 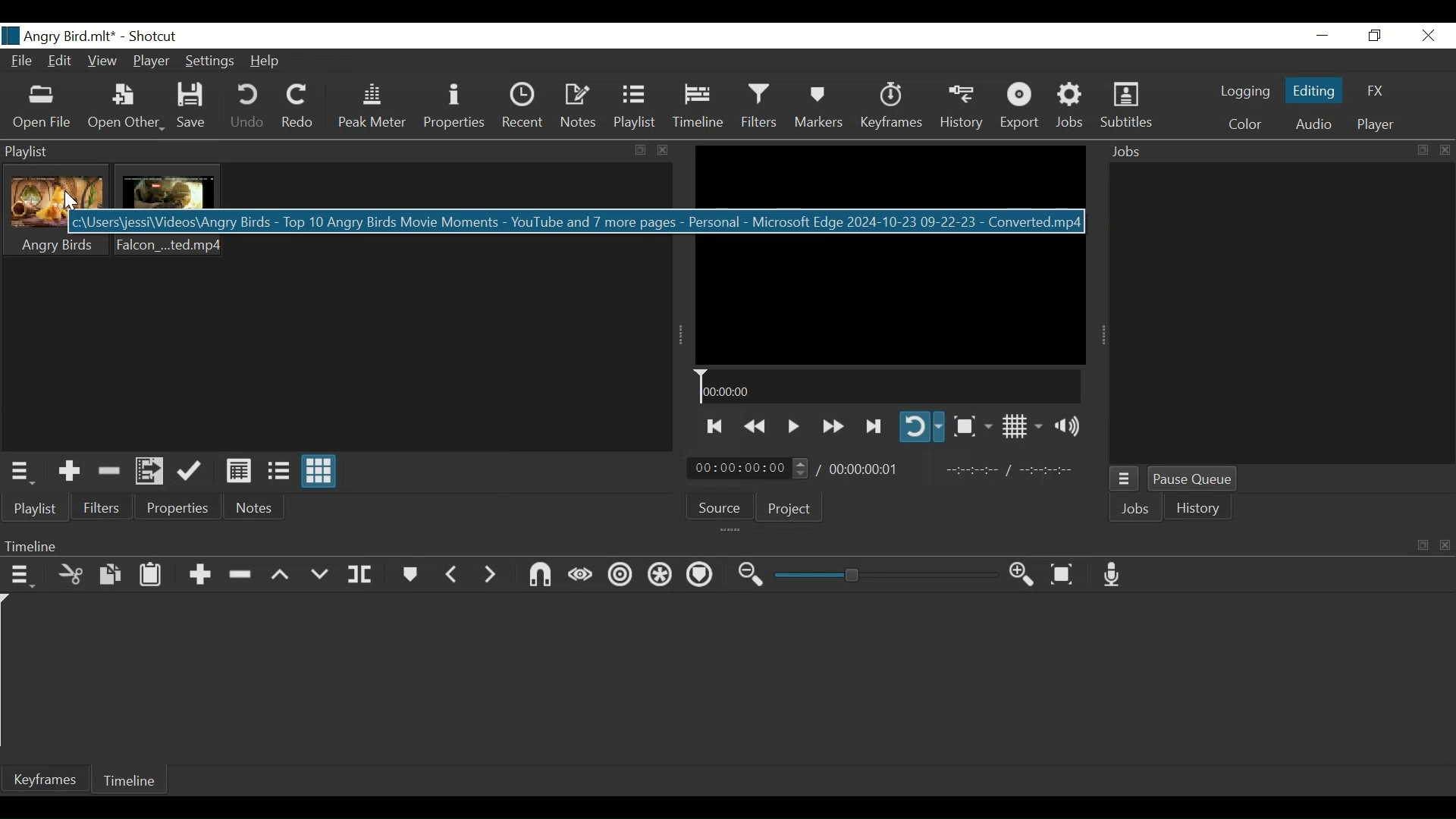 What do you see at coordinates (757, 424) in the screenshot?
I see `Play backward quickly` at bounding box center [757, 424].